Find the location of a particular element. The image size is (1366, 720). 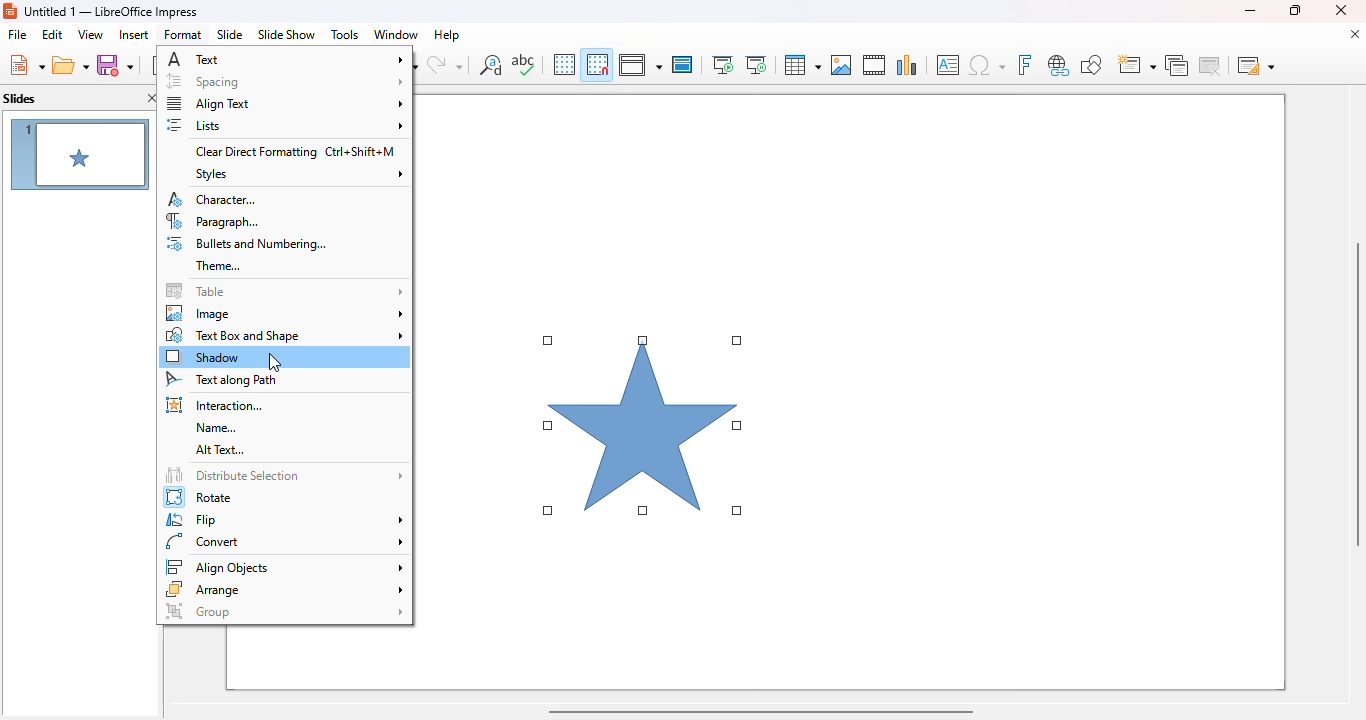

insert special characters is located at coordinates (987, 65).